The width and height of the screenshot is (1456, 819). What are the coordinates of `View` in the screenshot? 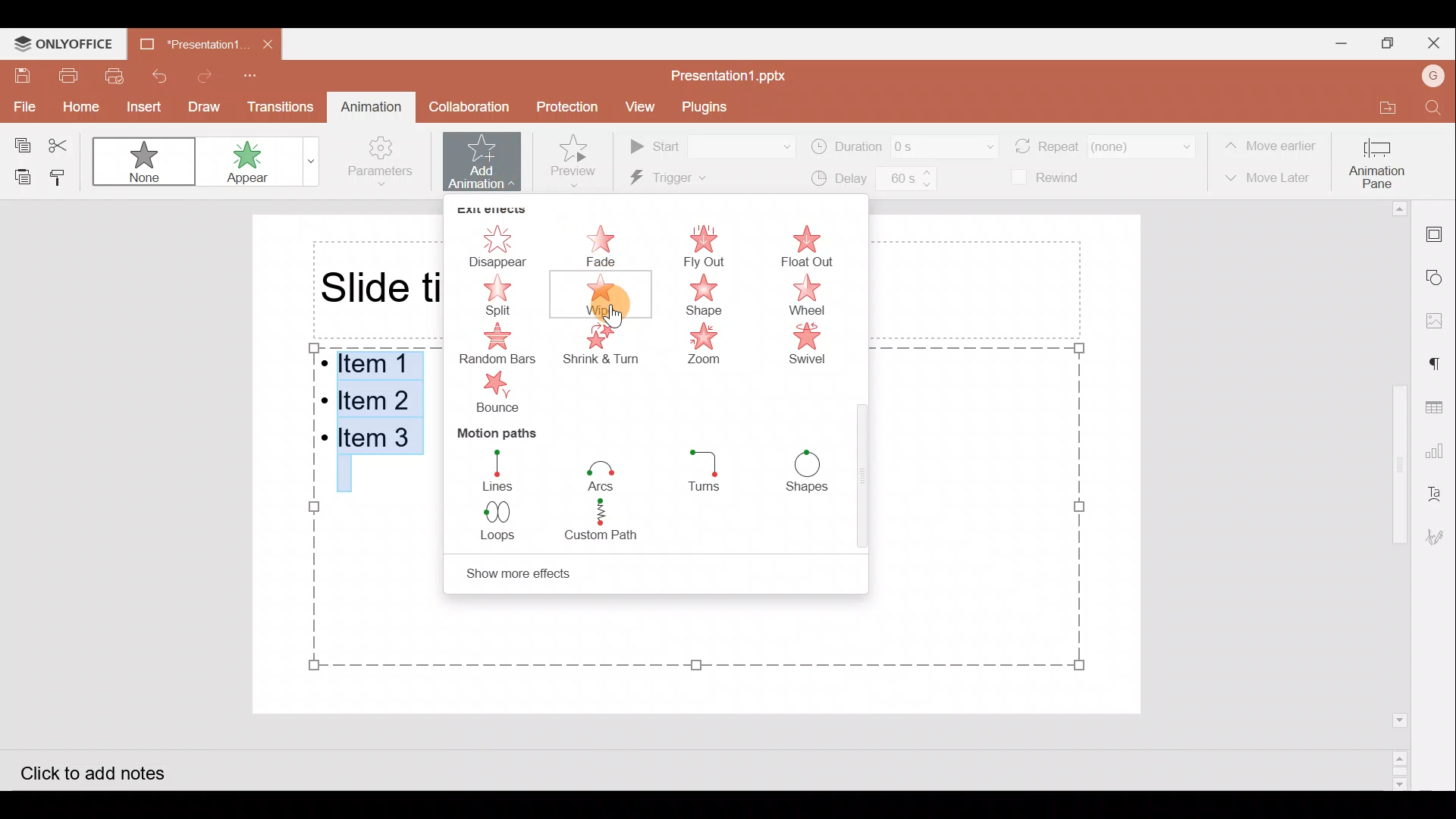 It's located at (642, 106).